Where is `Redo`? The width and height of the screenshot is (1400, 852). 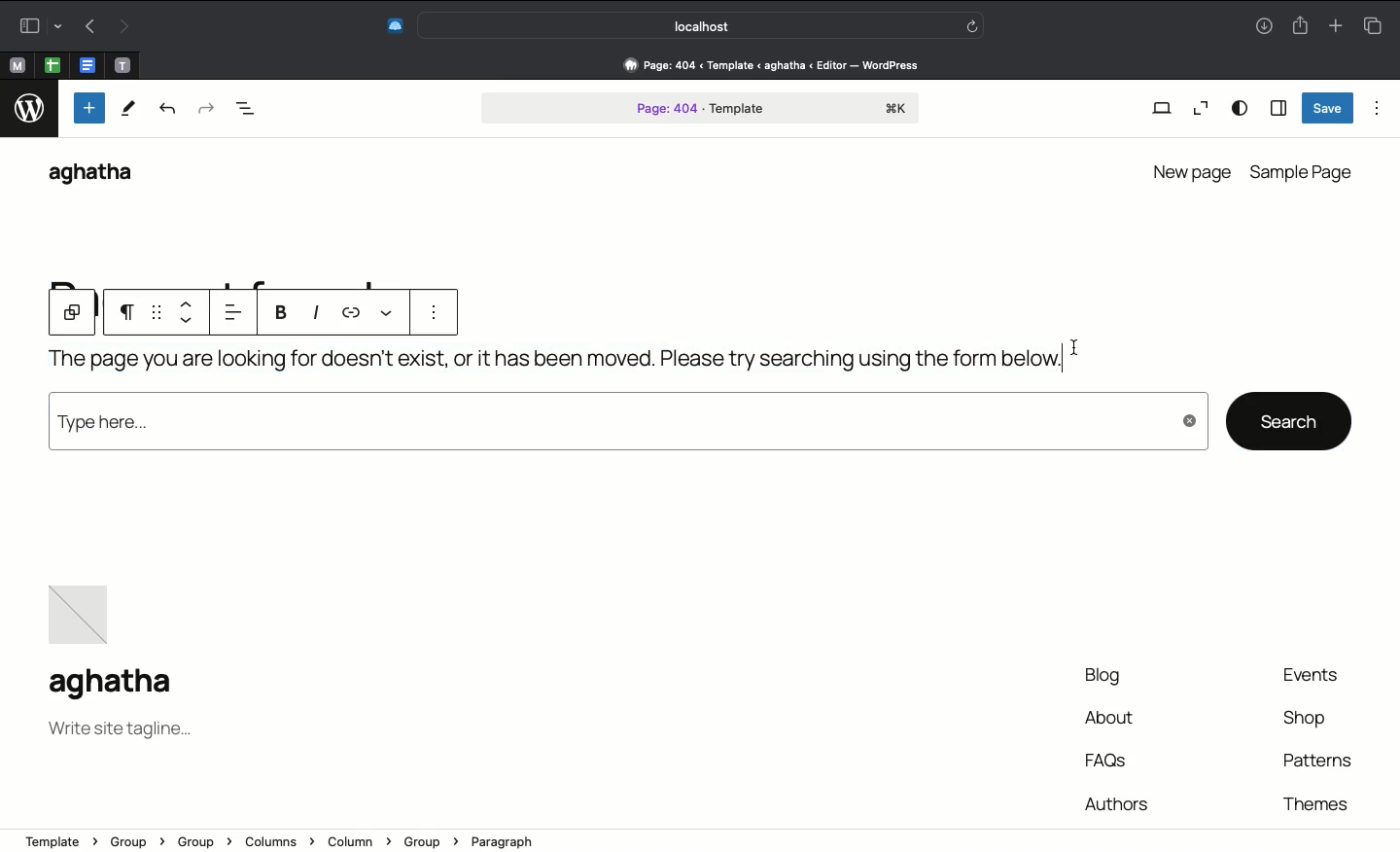 Redo is located at coordinates (205, 110).